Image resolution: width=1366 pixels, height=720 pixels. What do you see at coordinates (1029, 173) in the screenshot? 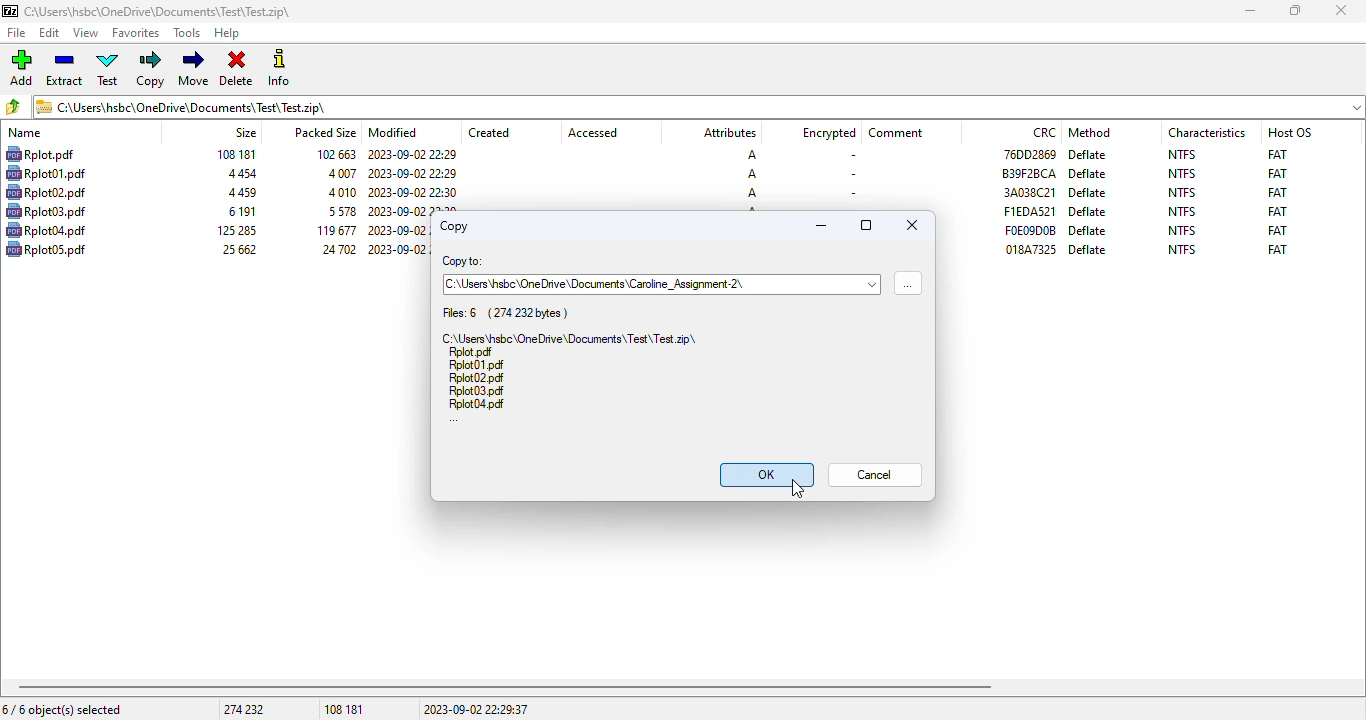
I see `CRC` at bounding box center [1029, 173].